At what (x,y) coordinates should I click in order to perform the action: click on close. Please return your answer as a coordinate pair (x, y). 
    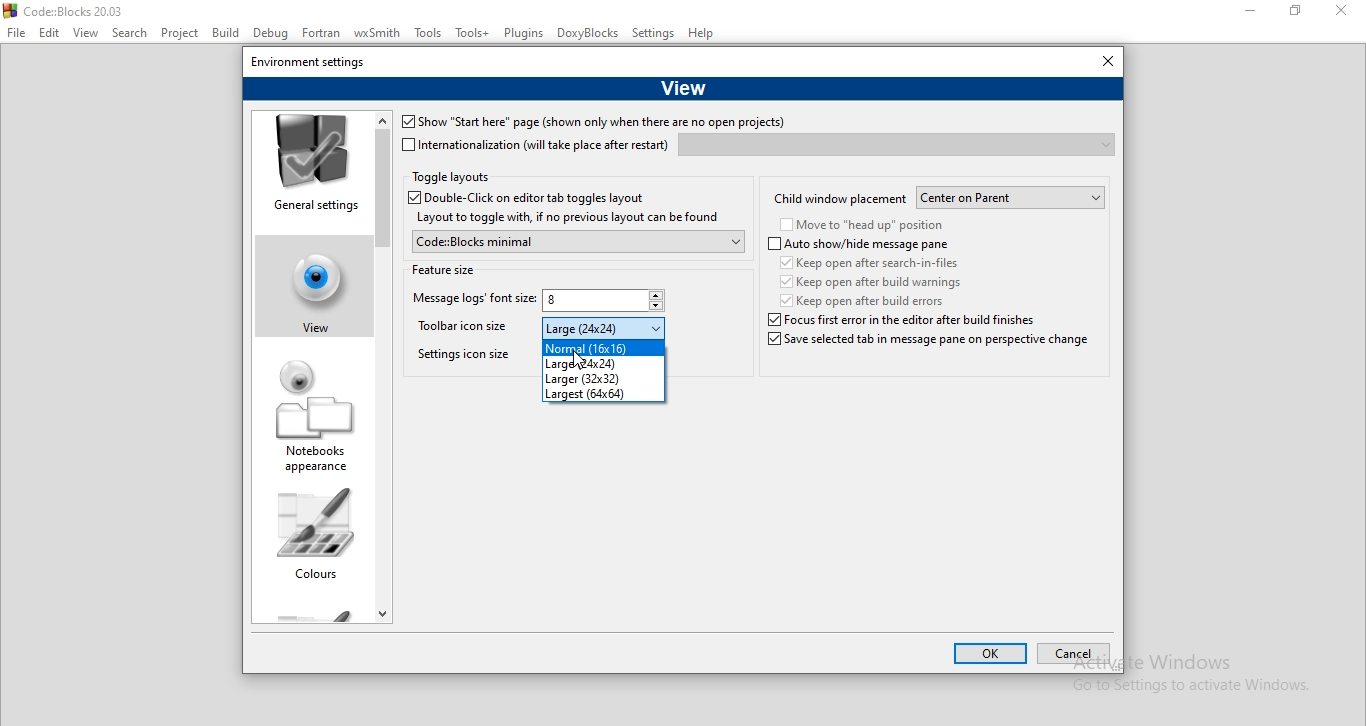
    Looking at the image, I should click on (1103, 62).